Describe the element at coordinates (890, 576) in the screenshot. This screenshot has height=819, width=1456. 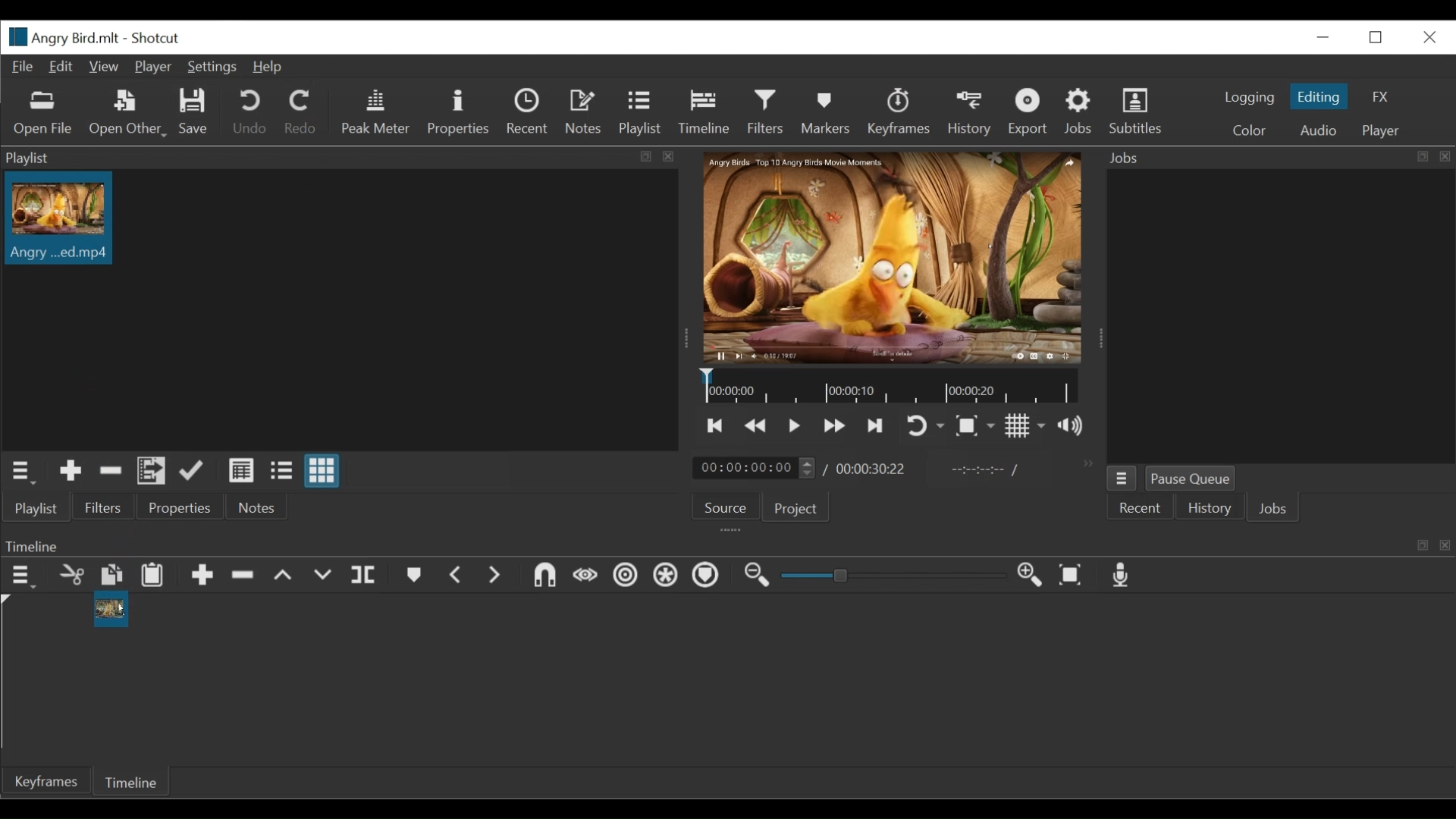
I see `Zoom slider` at that location.